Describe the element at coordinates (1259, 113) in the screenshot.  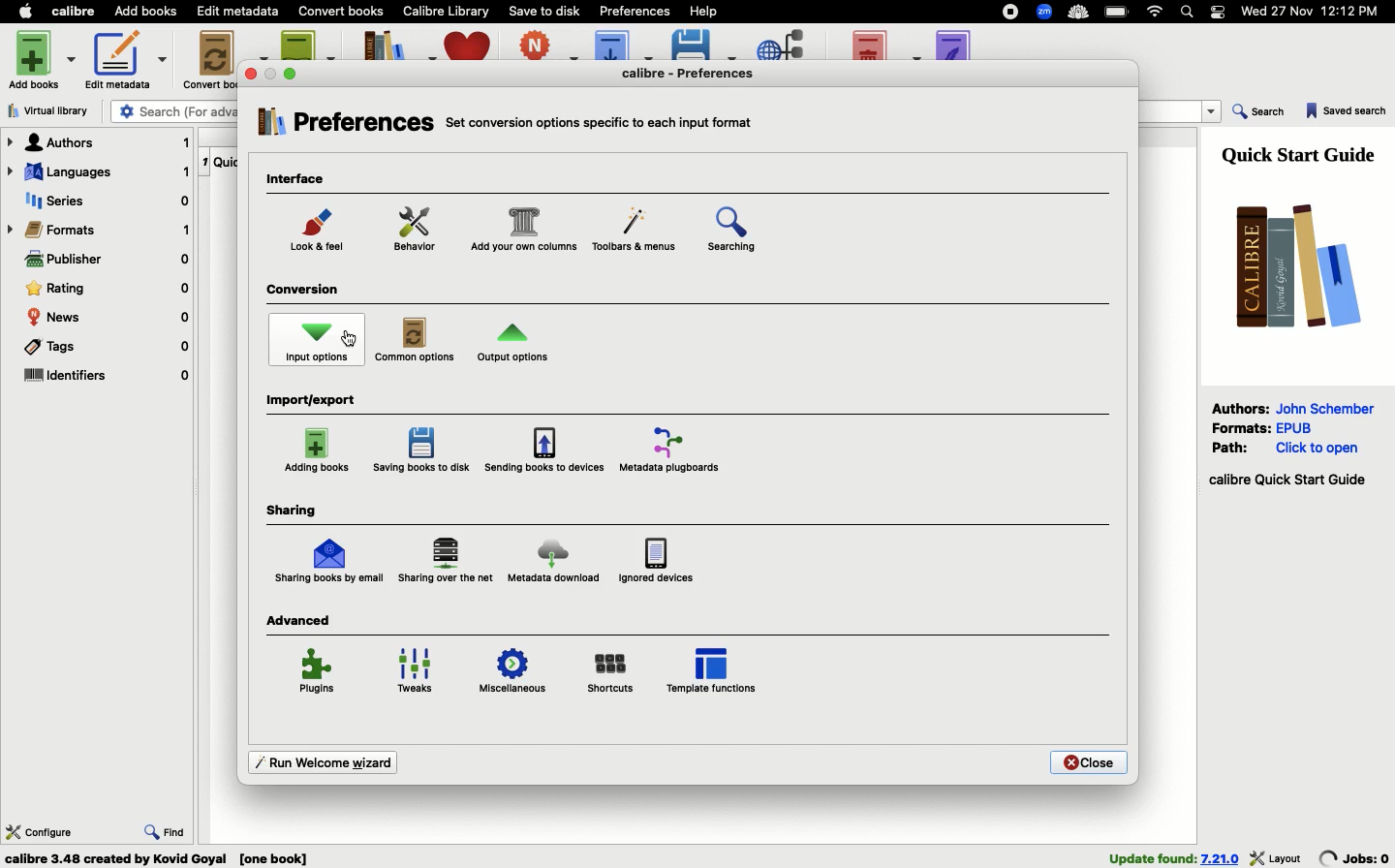
I see `Search` at that location.